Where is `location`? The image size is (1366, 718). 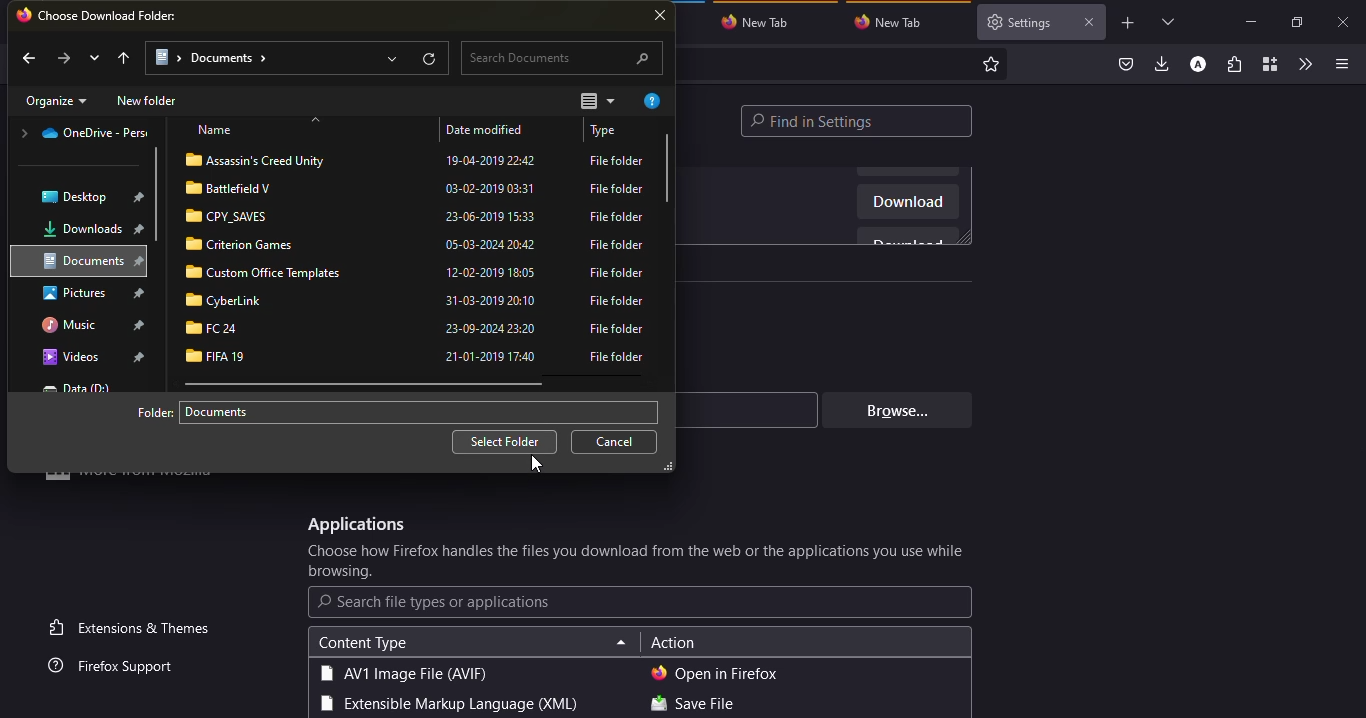
location is located at coordinates (76, 323).